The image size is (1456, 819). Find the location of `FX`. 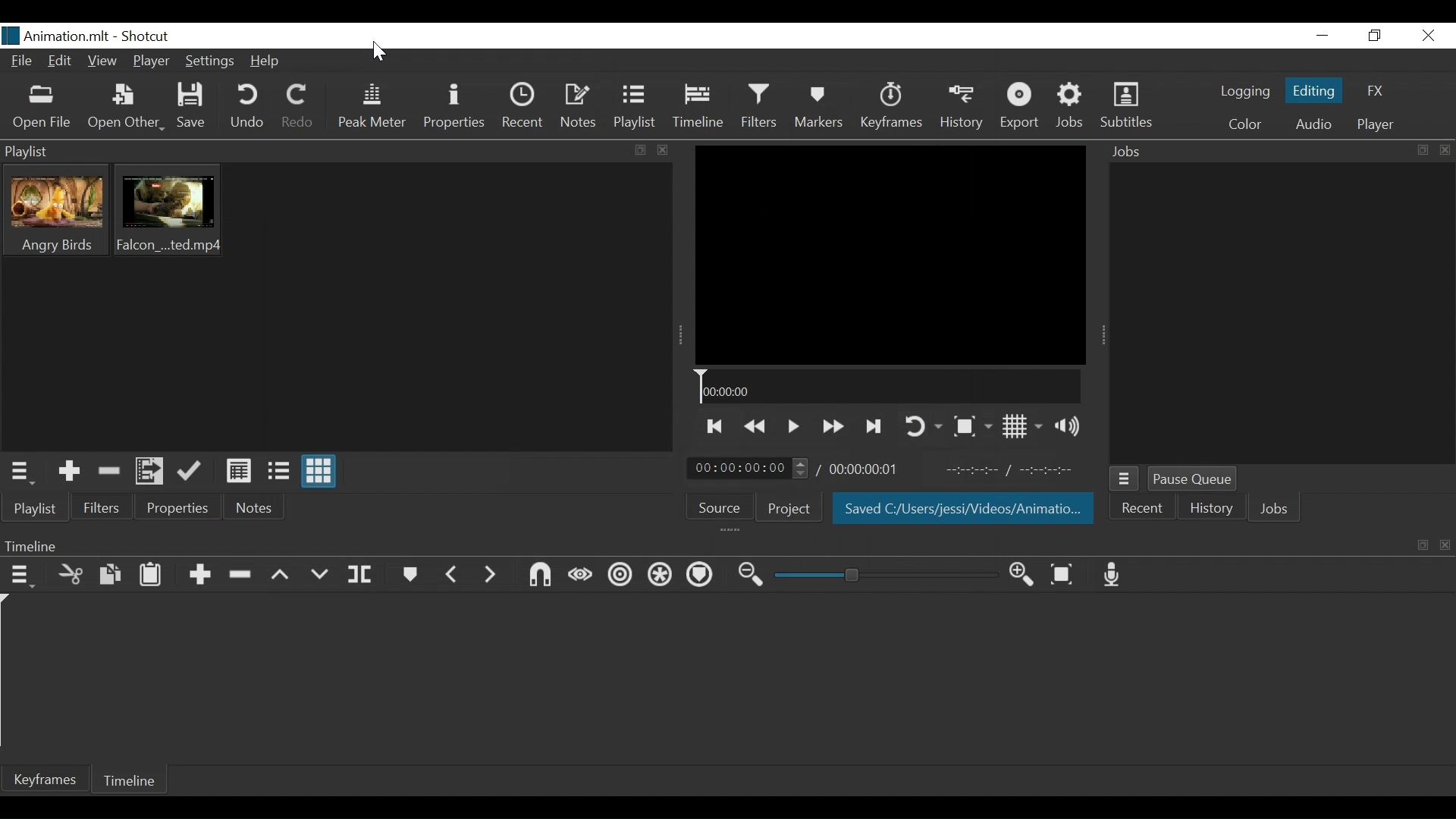

FX is located at coordinates (1376, 89).